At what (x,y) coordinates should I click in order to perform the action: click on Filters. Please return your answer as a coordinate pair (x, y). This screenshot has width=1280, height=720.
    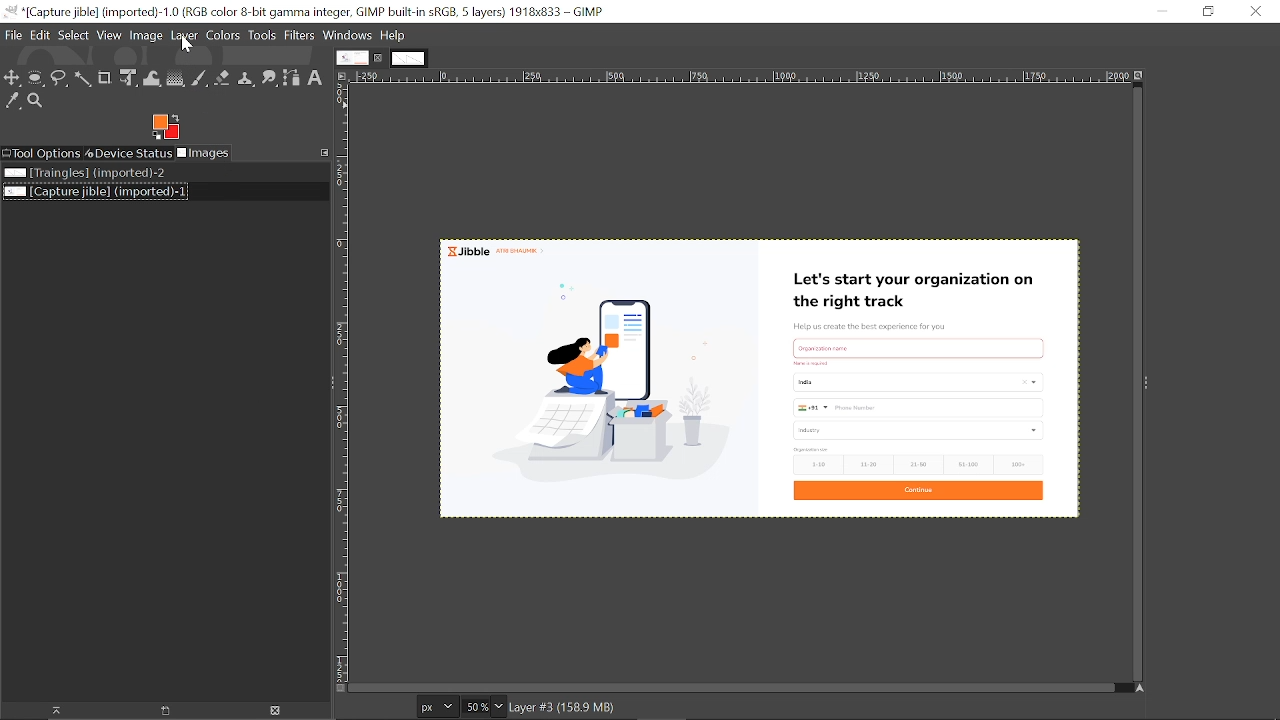
    Looking at the image, I should click on (302, 36).